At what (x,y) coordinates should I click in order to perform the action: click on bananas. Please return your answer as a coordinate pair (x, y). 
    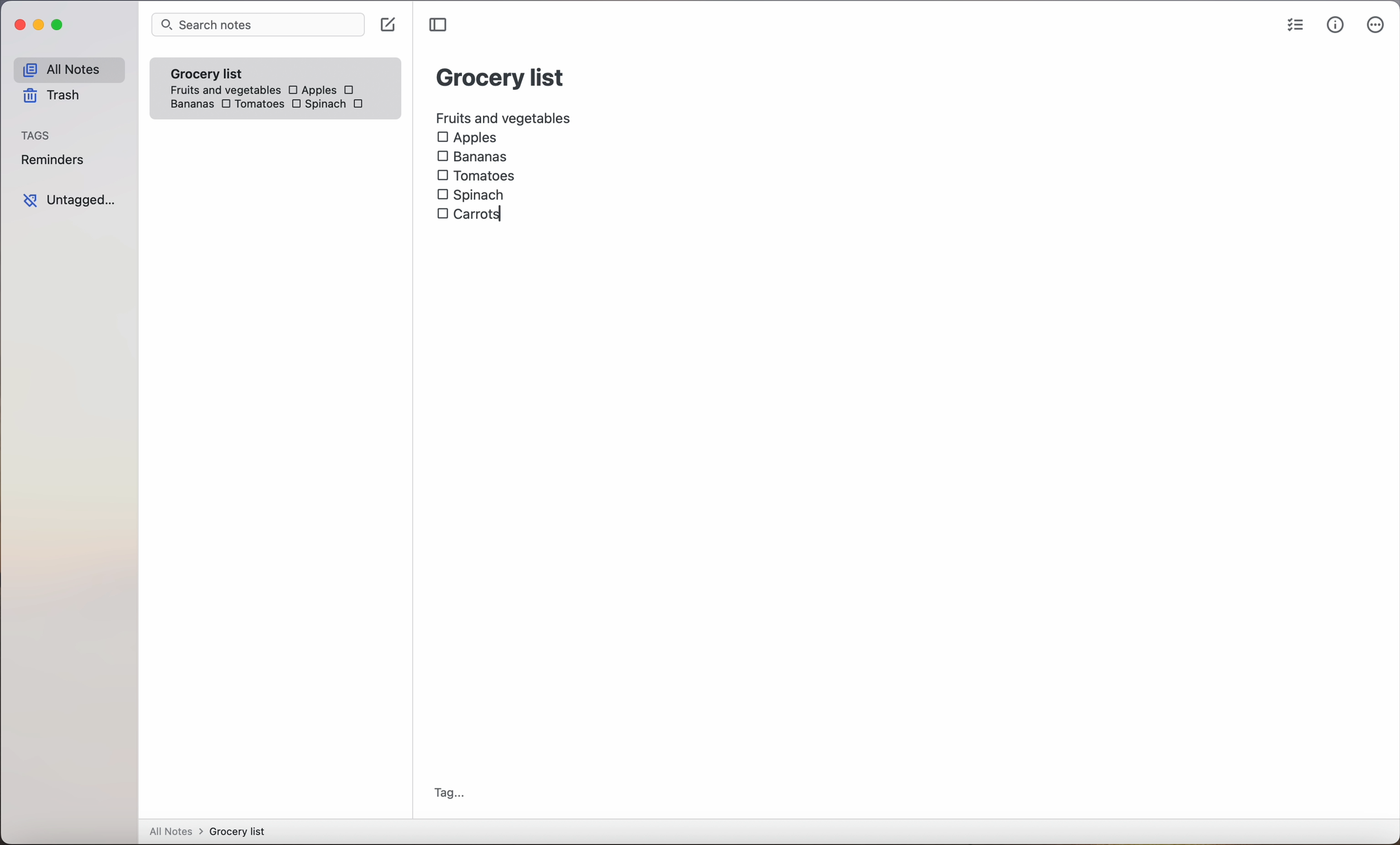
    Looking at the image, I should click on (190, 104).